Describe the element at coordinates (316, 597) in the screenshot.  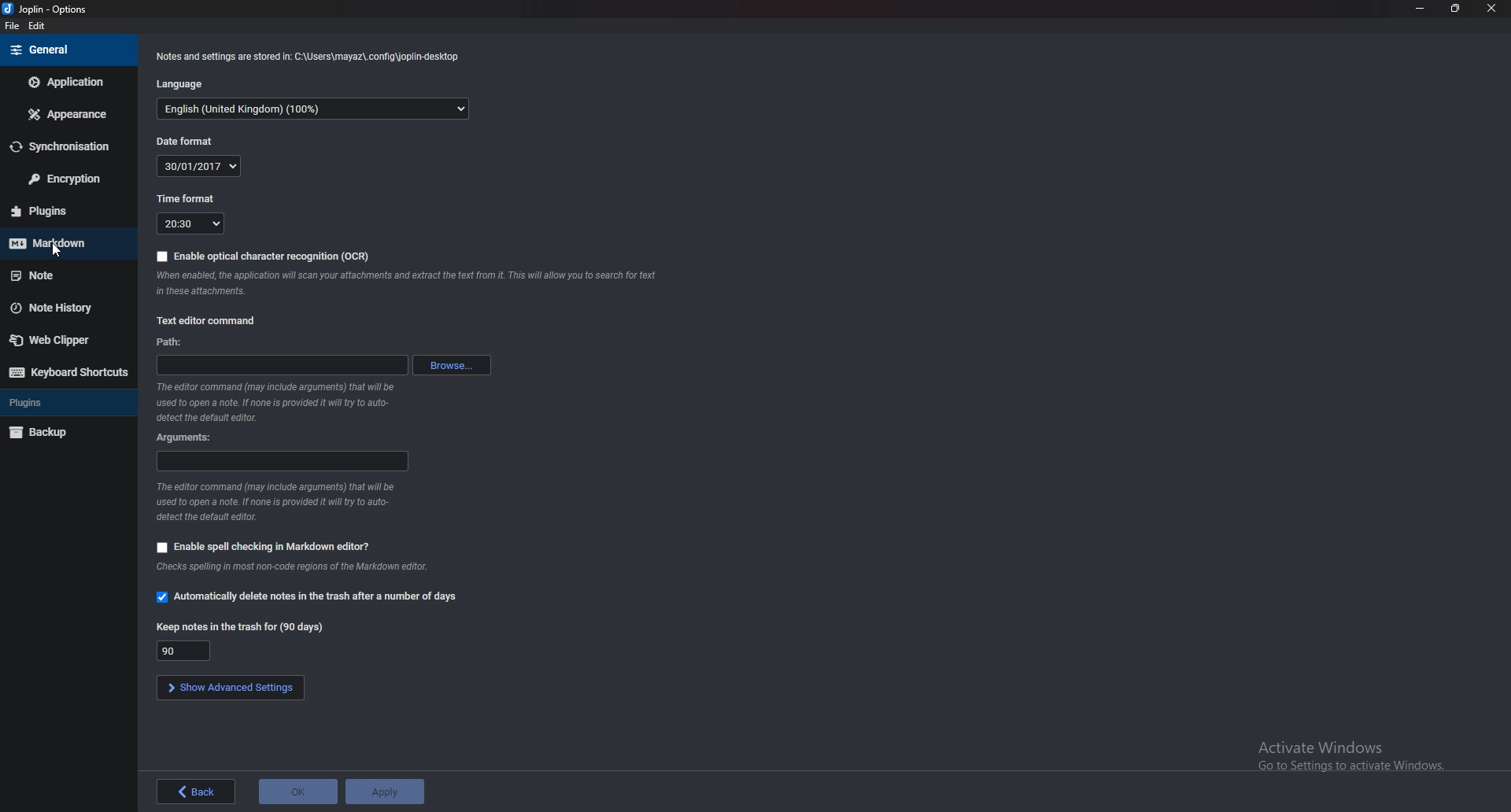
I see `Automatically delete notes` at that location.